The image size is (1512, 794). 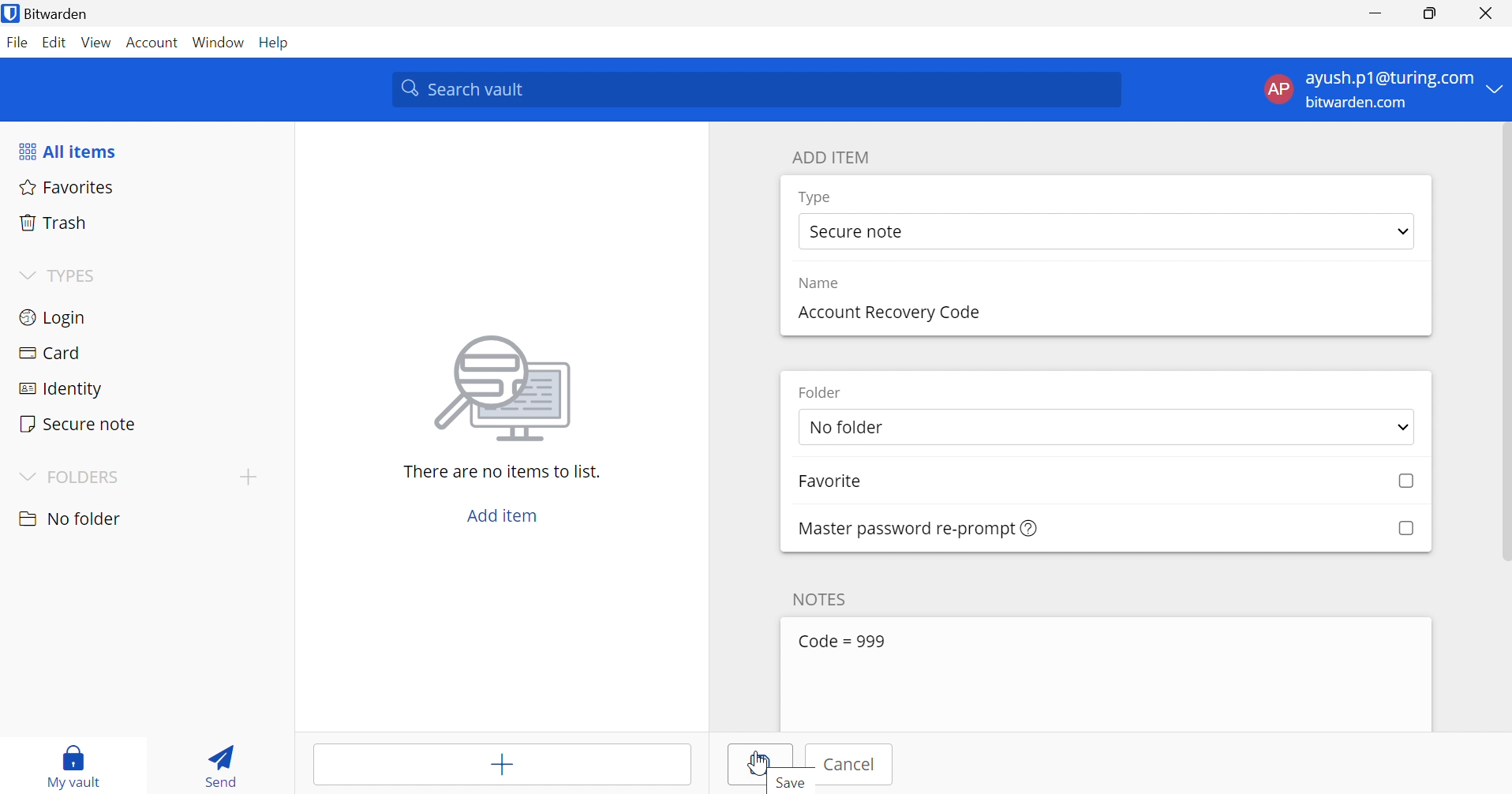 I want to click on Minimize, so click(x=1375, y=15).